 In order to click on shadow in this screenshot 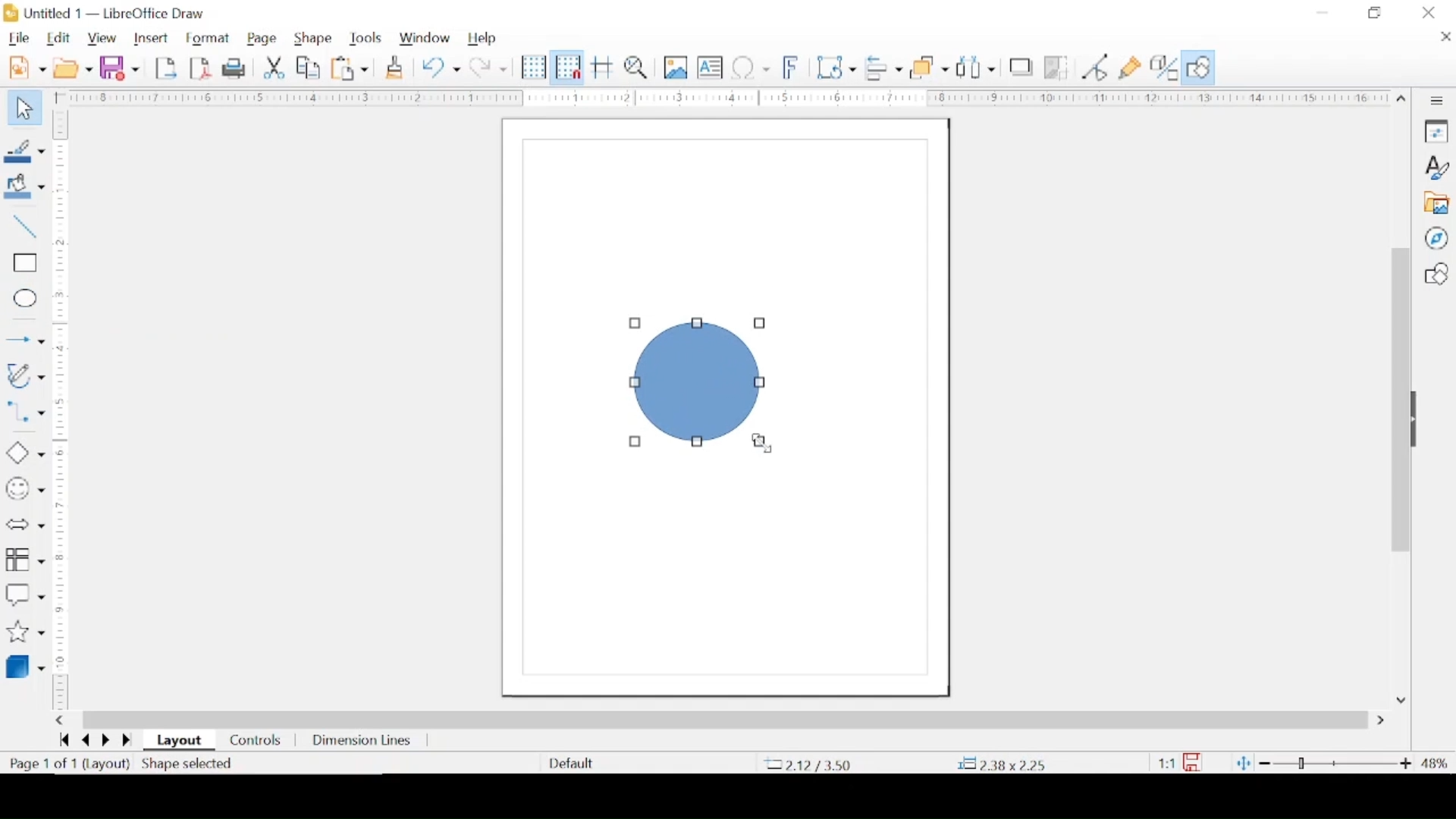, I will do `click(1021, 67)`.